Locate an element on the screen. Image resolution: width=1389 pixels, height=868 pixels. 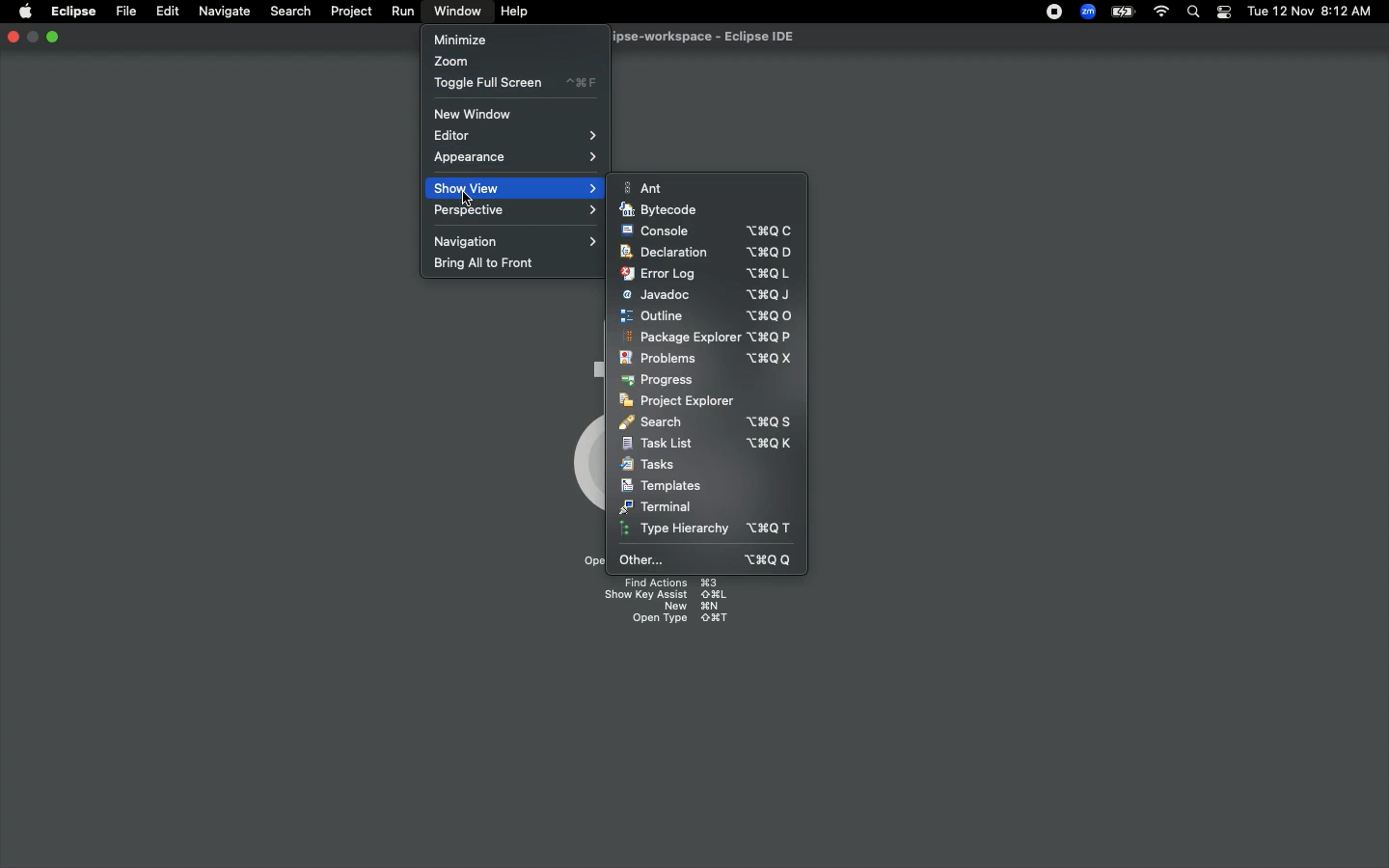
Recording is located at coordinates (1049, 12).